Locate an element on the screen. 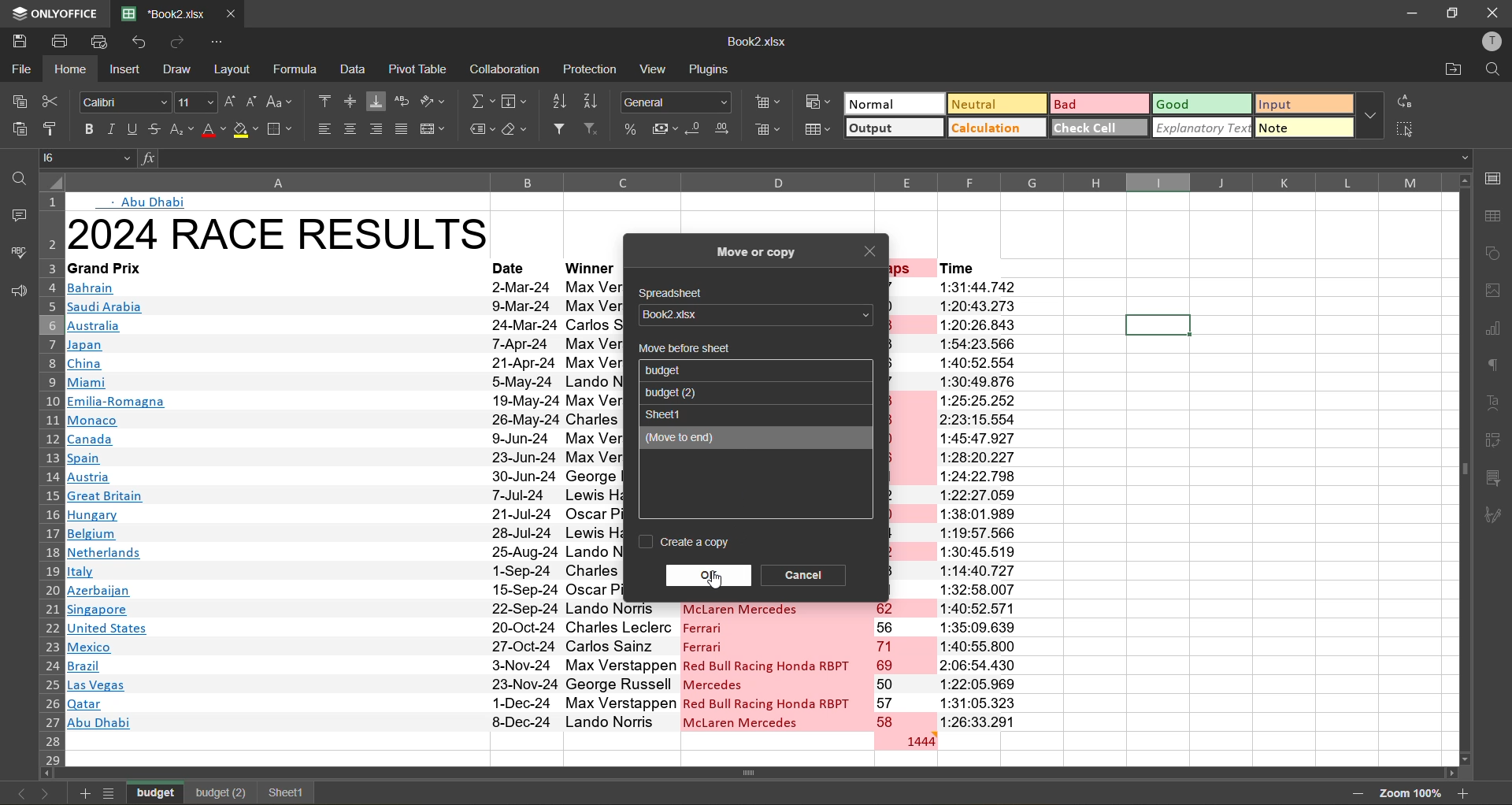 Image resolution: width=1512 pixels, height=805 pixels. zoom out is located at coordinates (1352, 793).